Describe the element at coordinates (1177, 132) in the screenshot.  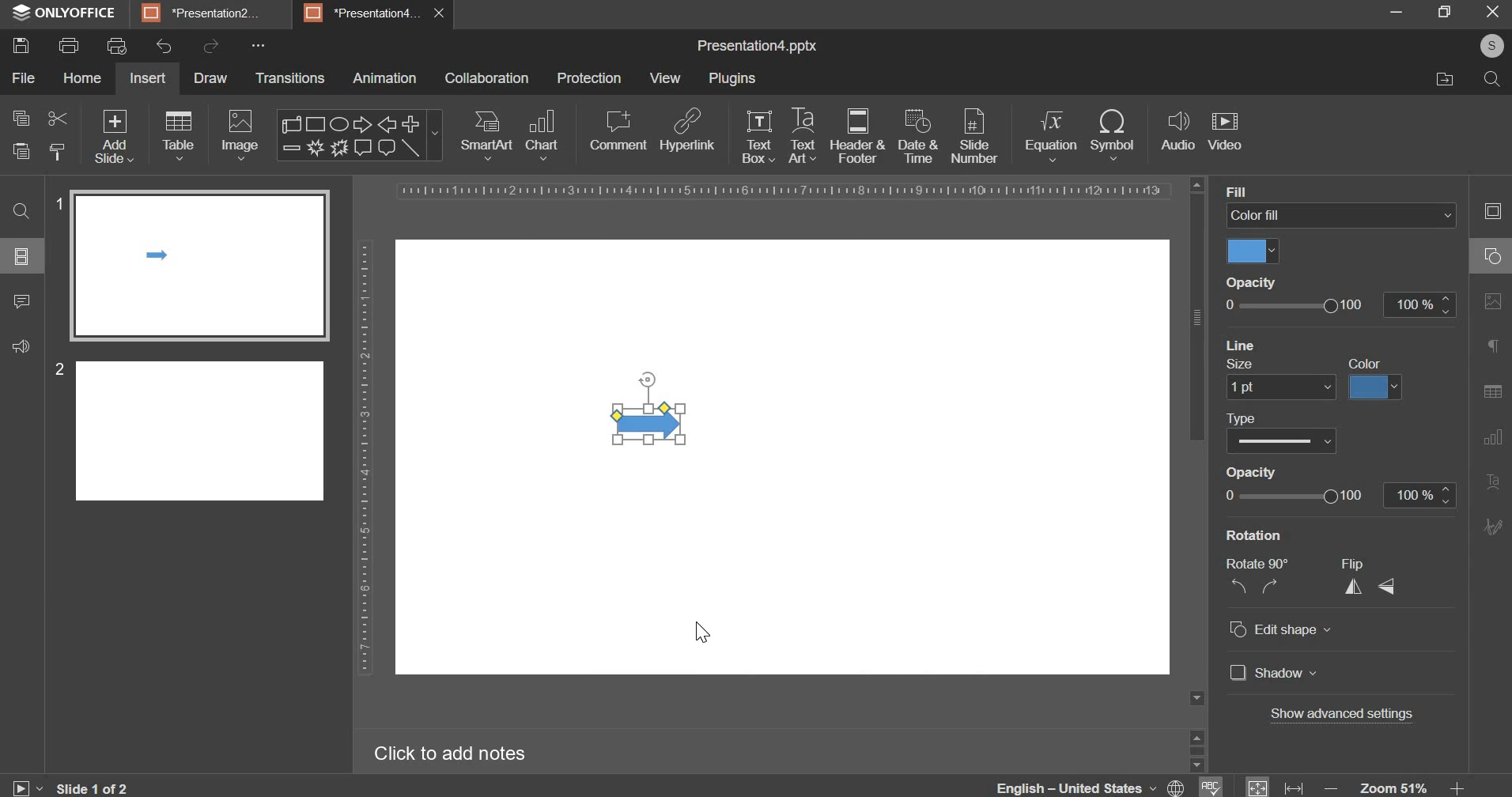
I see `audio` at that location.